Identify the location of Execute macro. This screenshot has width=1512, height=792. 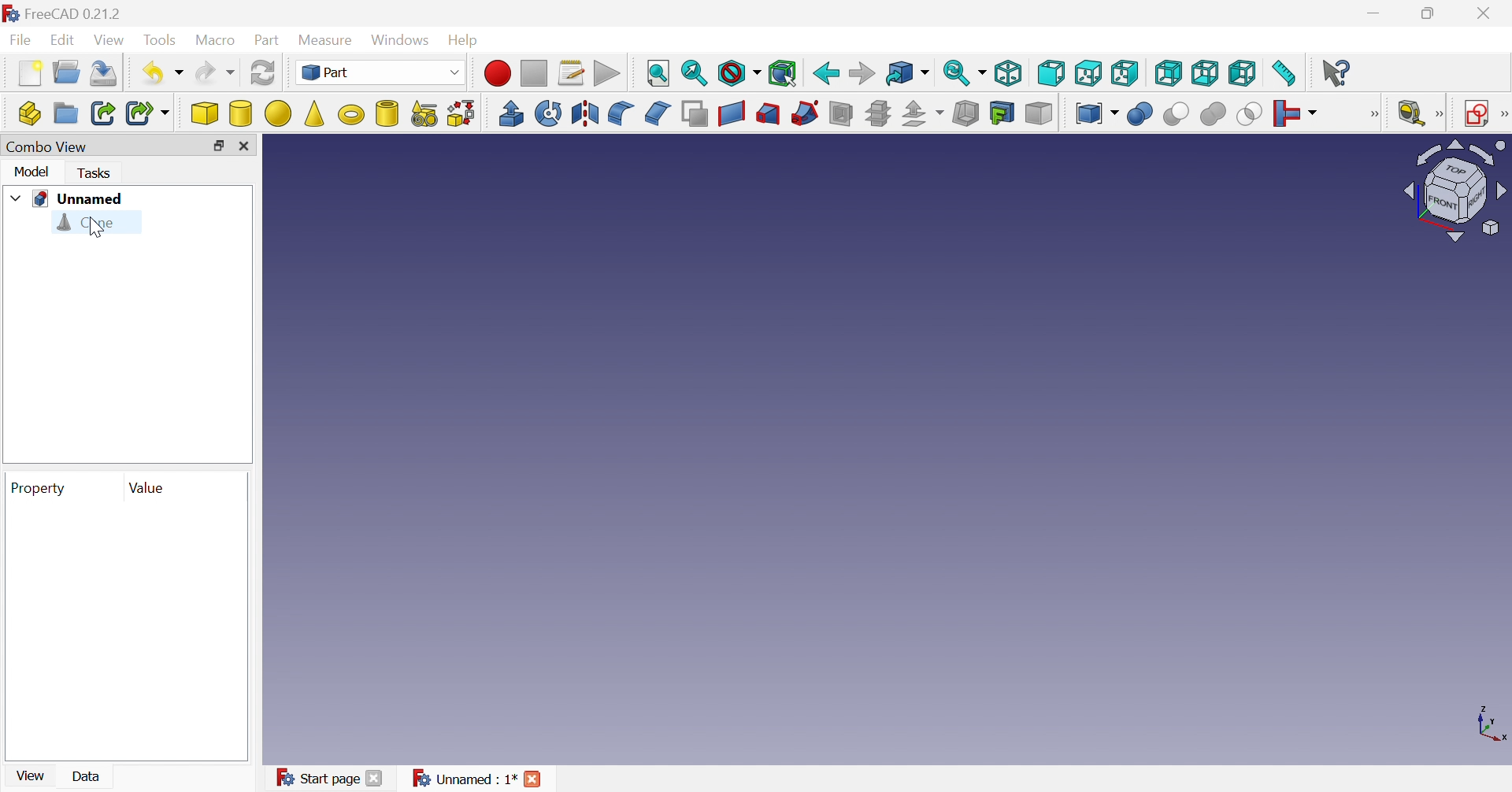
(607, 73).